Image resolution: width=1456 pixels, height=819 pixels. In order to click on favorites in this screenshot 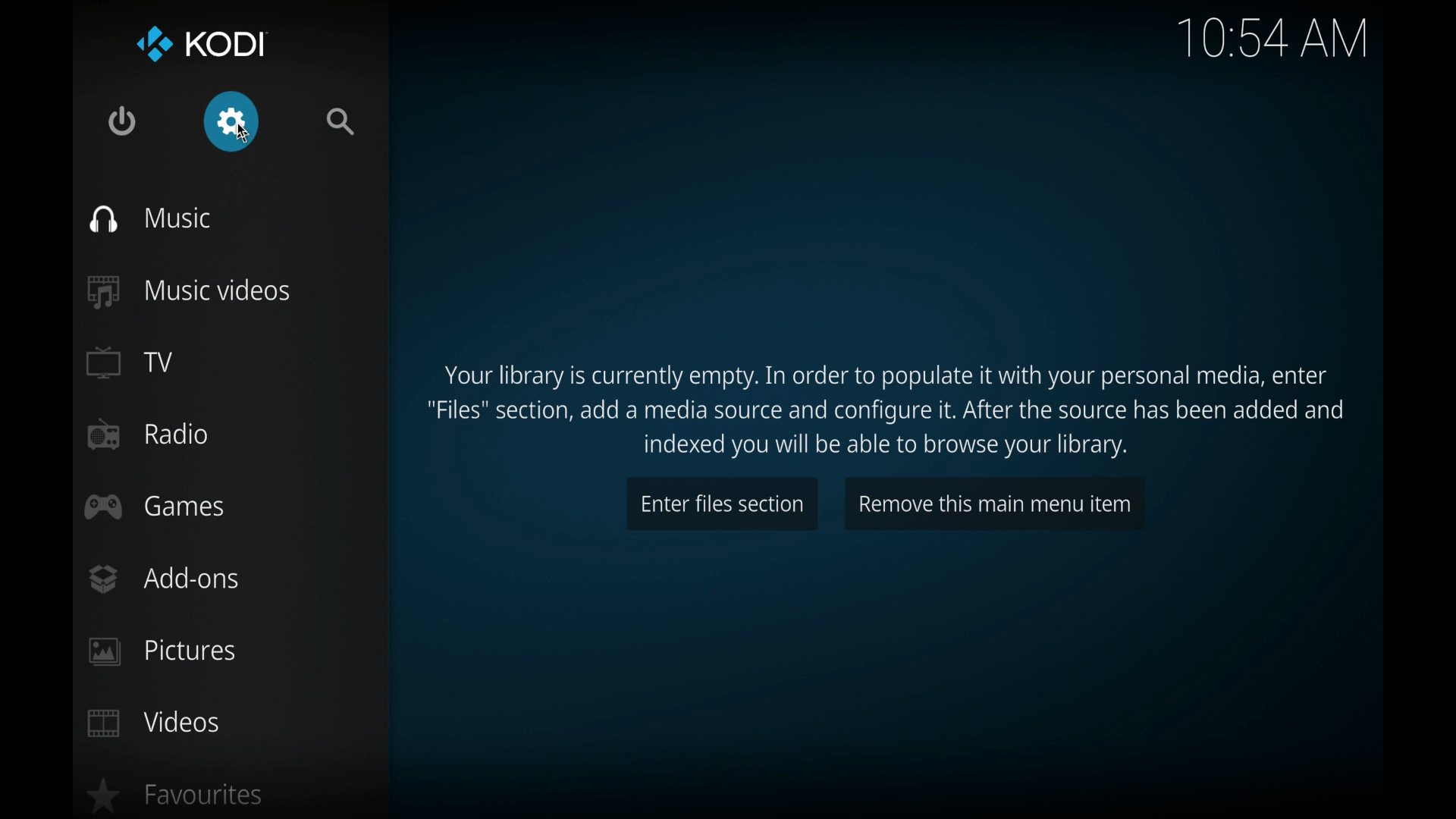, I will do `click(174, 796)`.